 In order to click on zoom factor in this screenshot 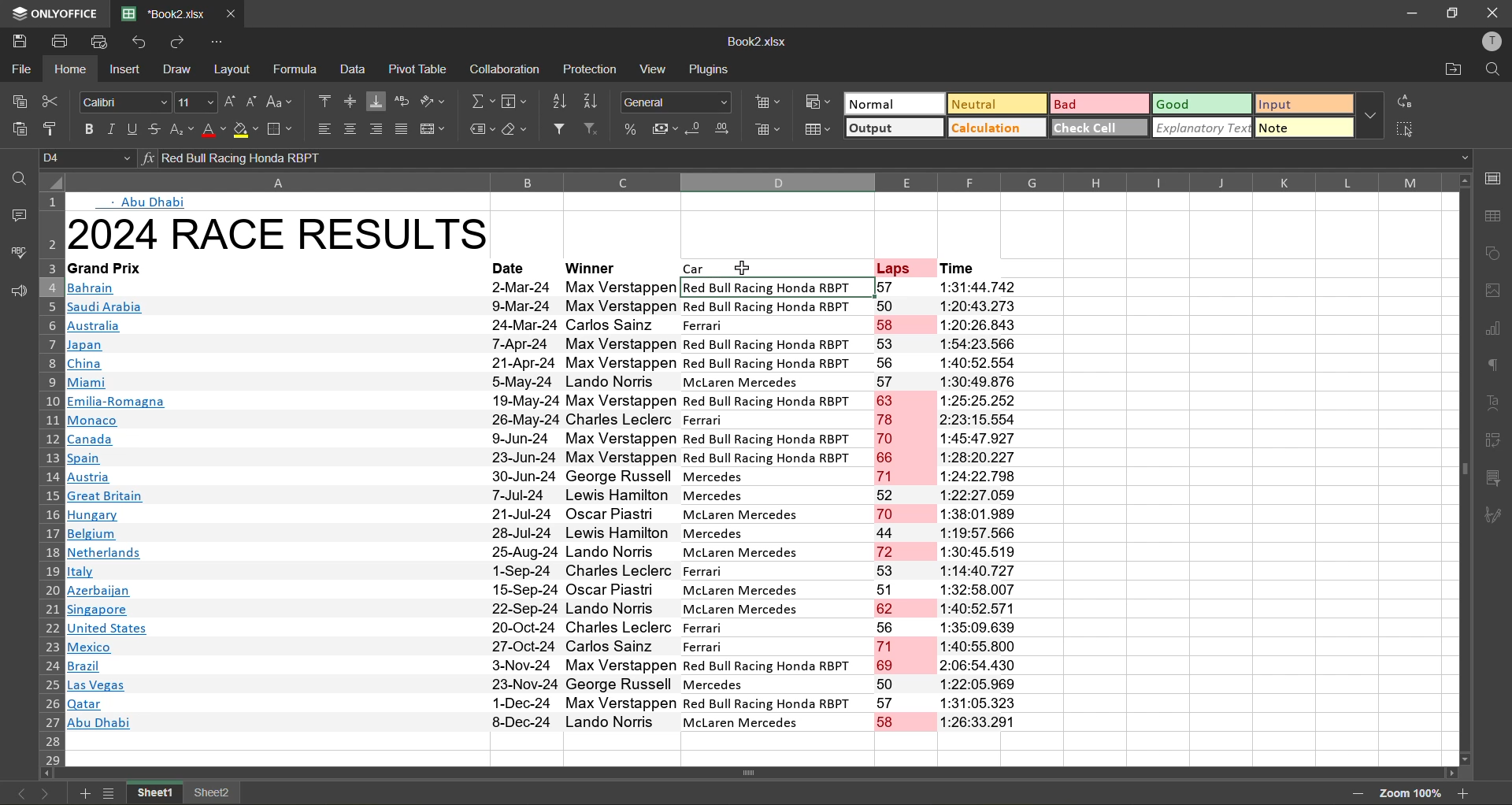, I will do `click(1408, 793)`.